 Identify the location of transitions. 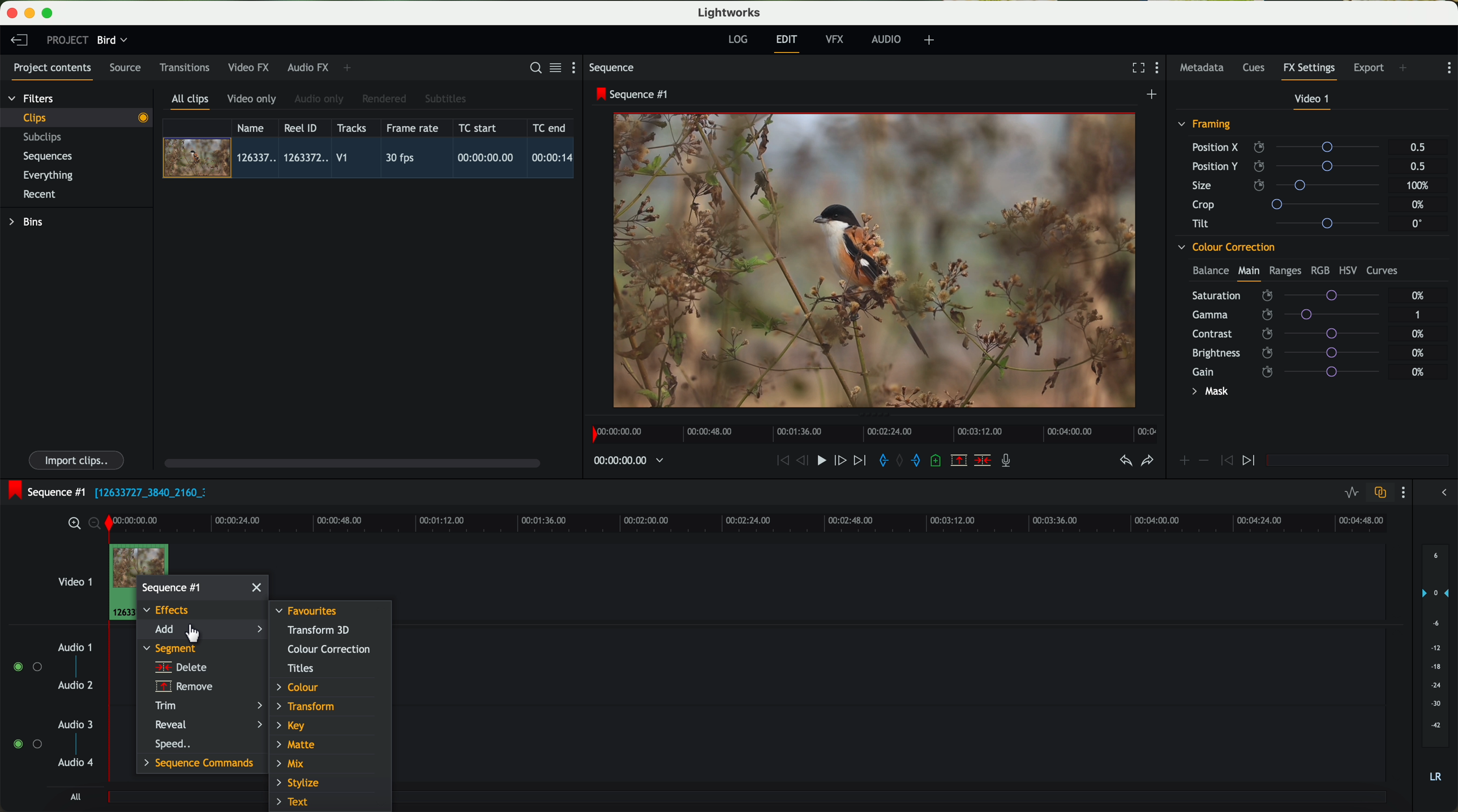
(184, 67).